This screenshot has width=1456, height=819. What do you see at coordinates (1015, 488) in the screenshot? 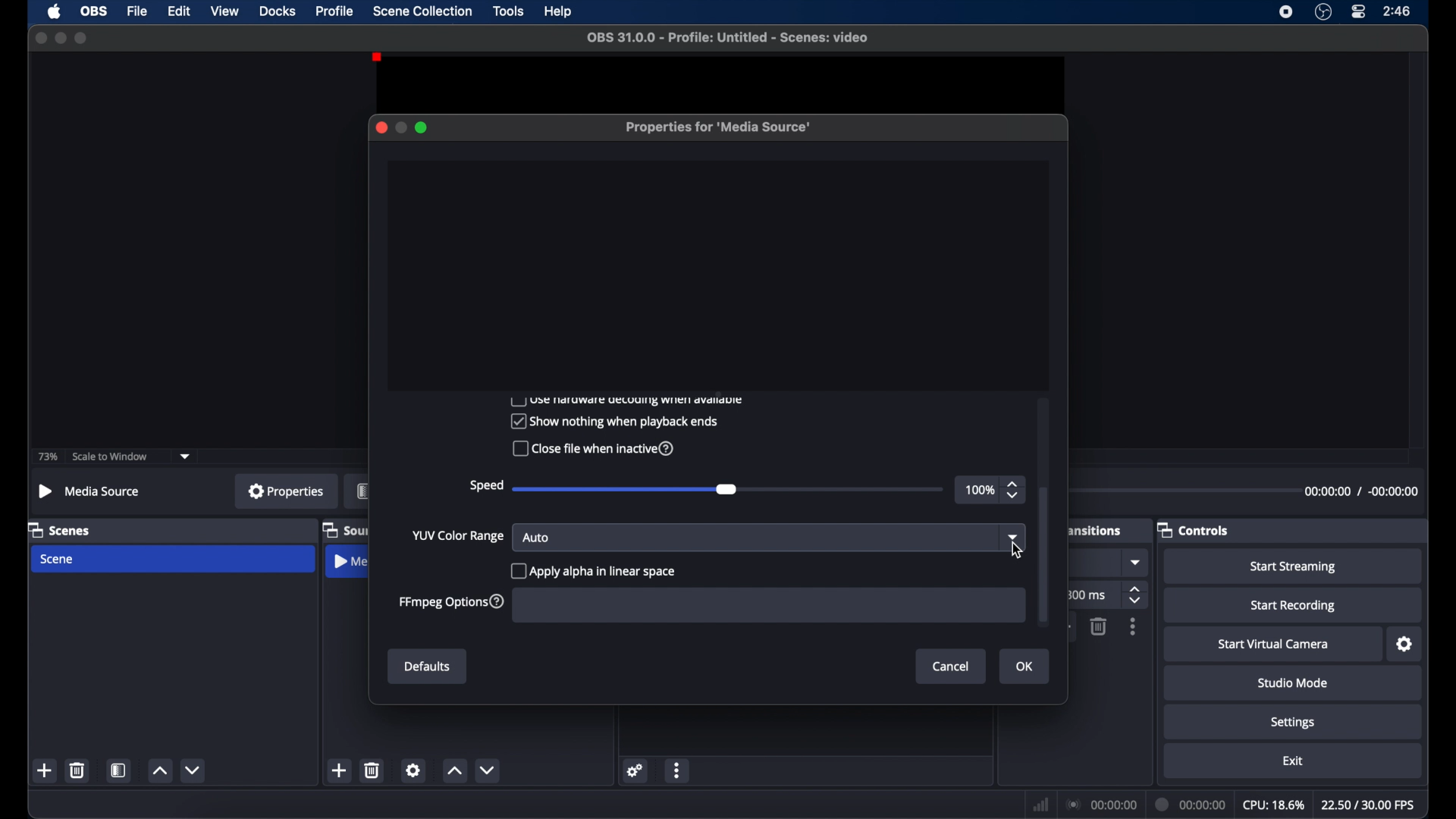
I see `stepper buttons` at bounding box center [1015, 488].